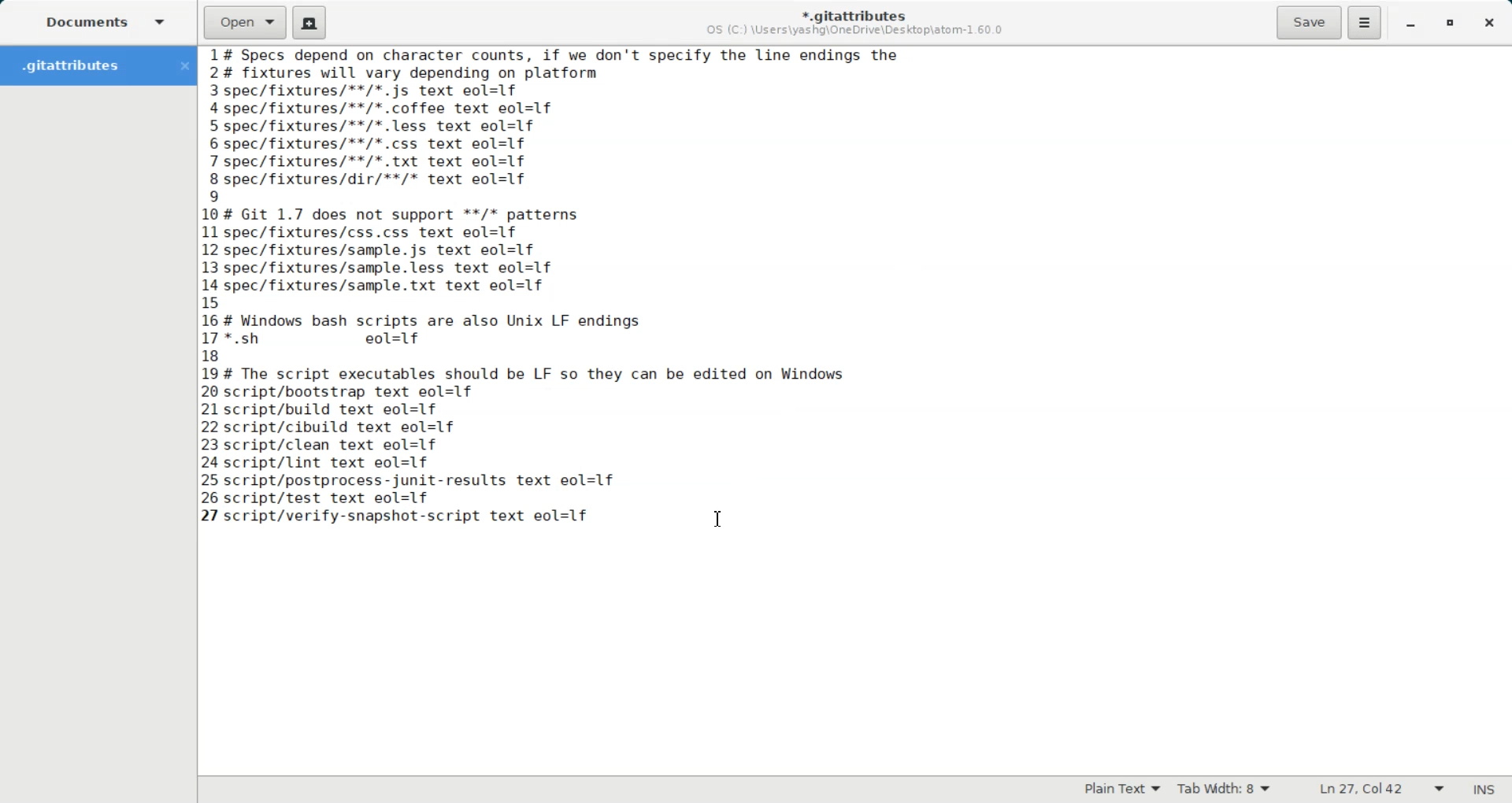  I want to click on Text Cursor, so click(718, 517).